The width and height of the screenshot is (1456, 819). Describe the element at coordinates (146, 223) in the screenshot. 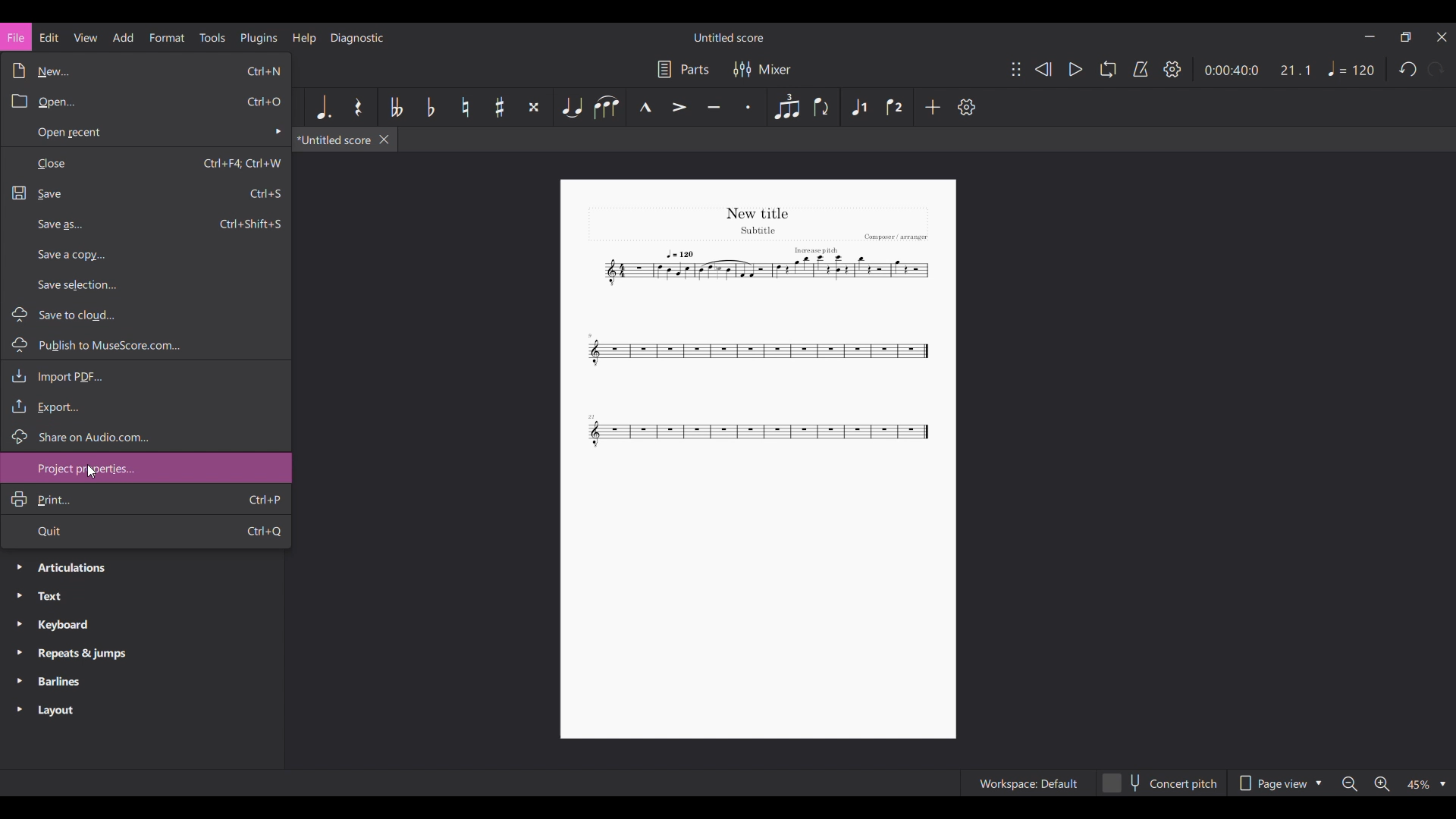

I see `Save as...` at that location.